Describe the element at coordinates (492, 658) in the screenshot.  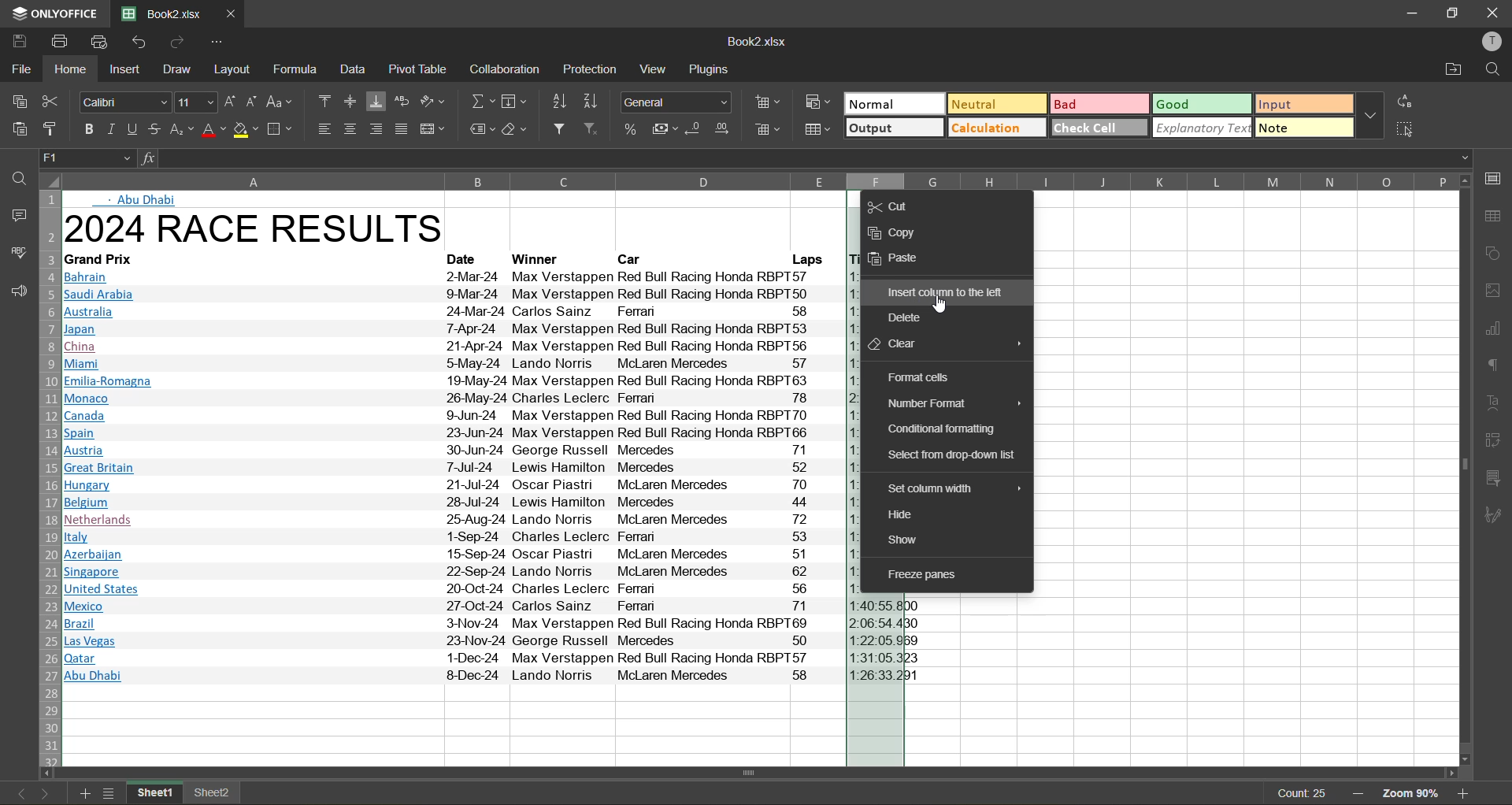
I see `Qatar 1-Dec-24 Max Verstappen Red Bull Racing Honda RBPTS57 1:31:05.323` at that location.